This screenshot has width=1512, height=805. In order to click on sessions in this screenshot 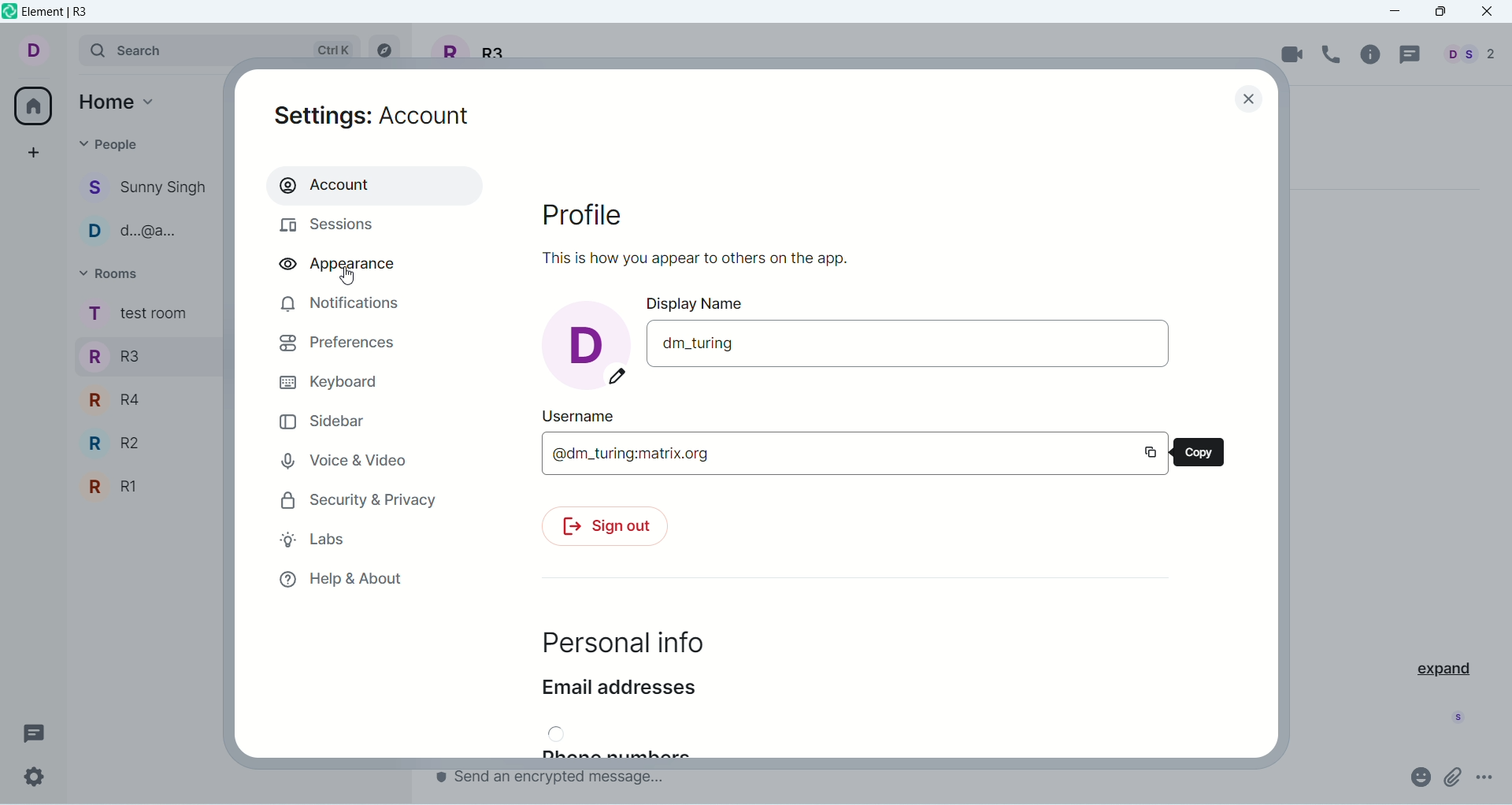, I will do `click(327, 226)`.